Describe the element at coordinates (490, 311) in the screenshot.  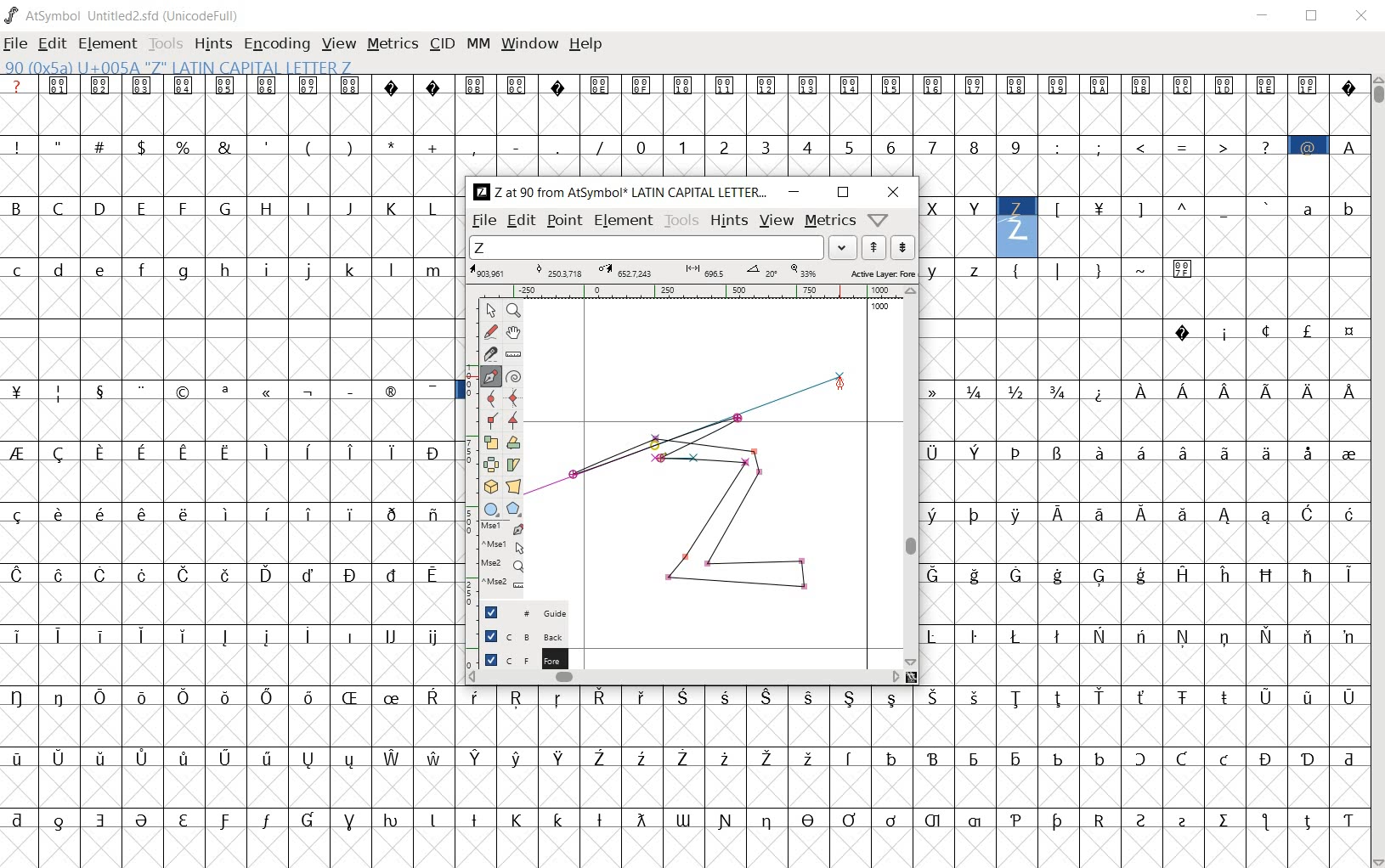
I see `POINTER` at that location.